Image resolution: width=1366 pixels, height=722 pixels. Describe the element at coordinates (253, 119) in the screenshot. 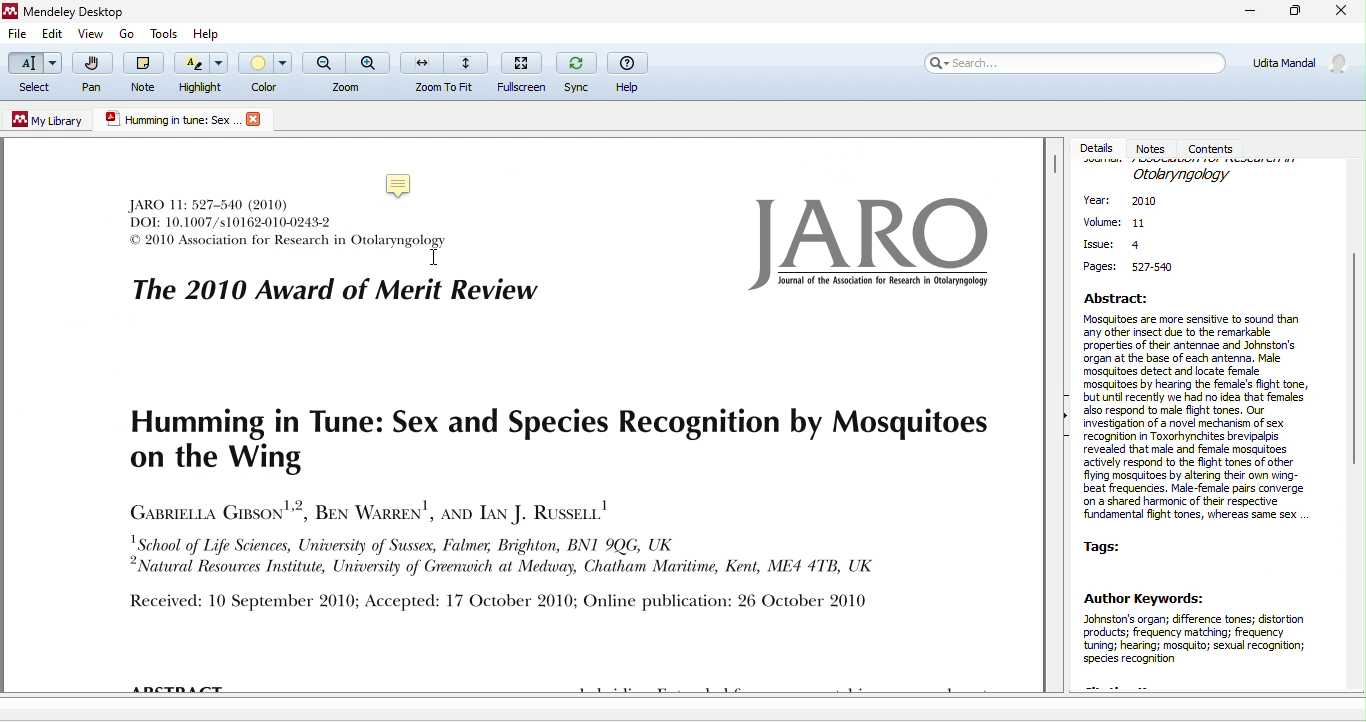

I see `logo` at that location.